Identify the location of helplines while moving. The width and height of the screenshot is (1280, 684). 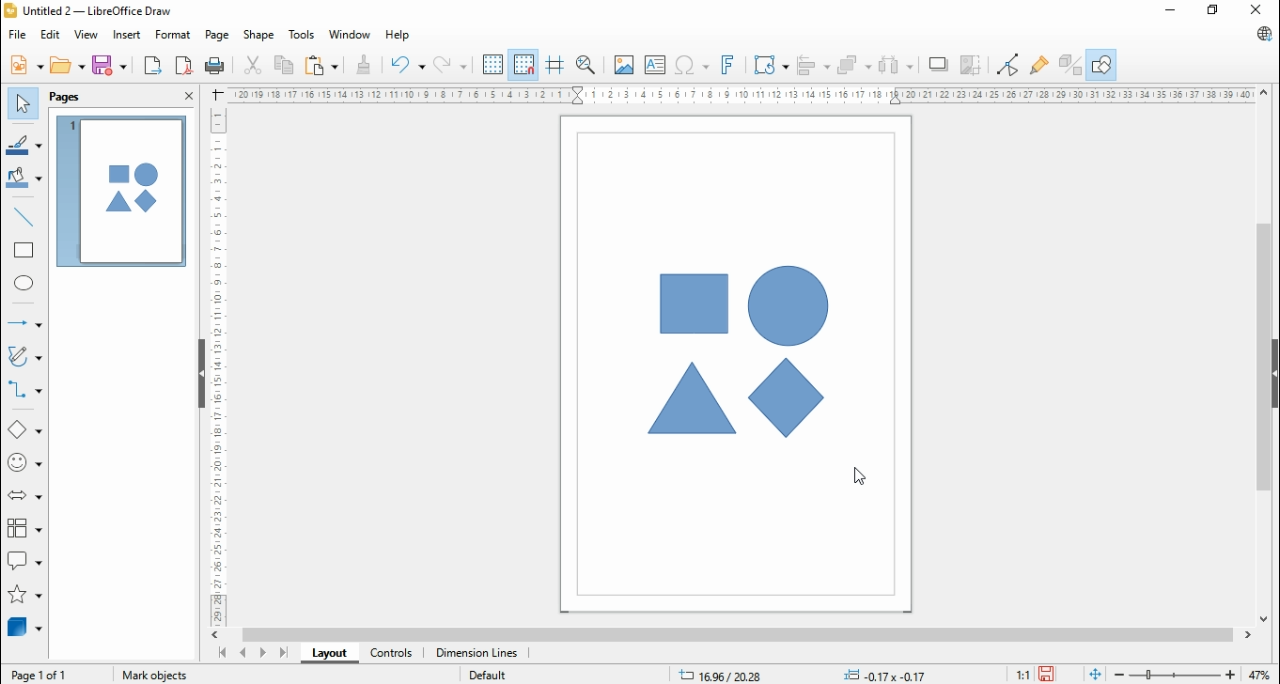
(554, 64).